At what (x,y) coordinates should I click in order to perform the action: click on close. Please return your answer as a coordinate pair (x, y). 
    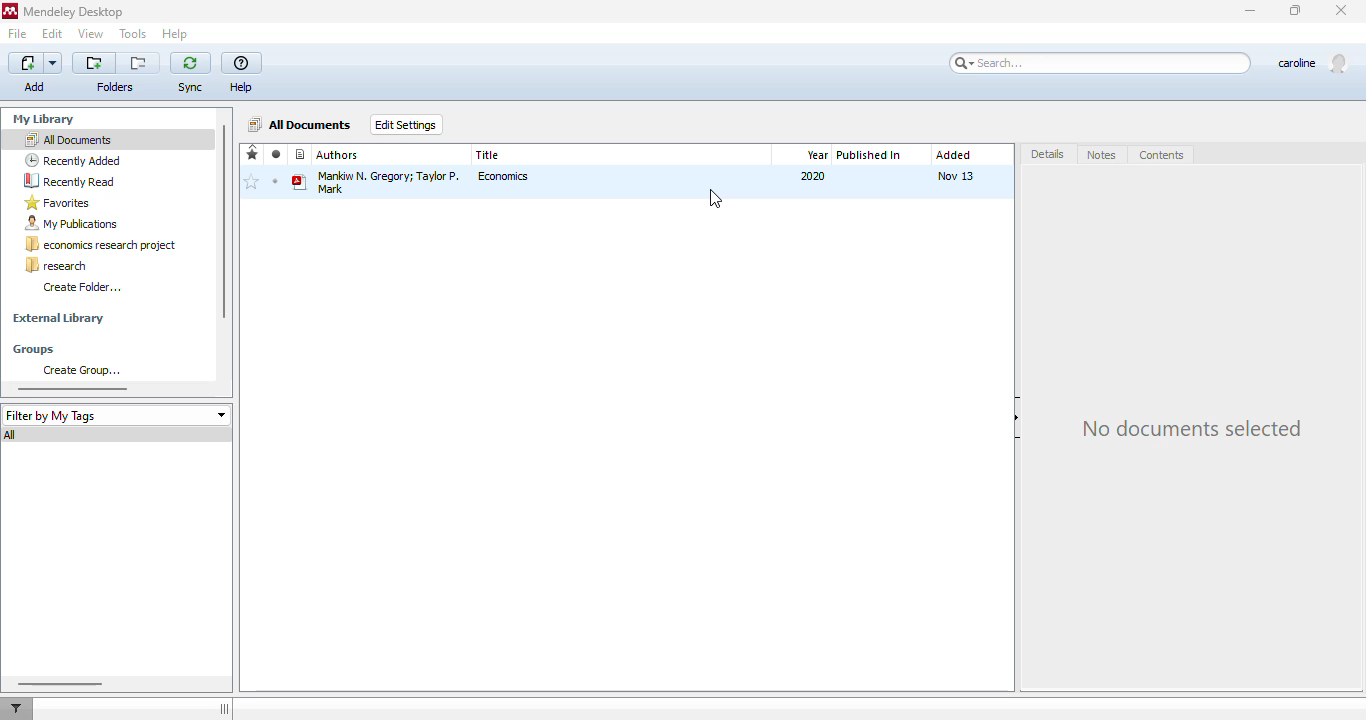
    Looking at the image, I should click on (1342, 11).